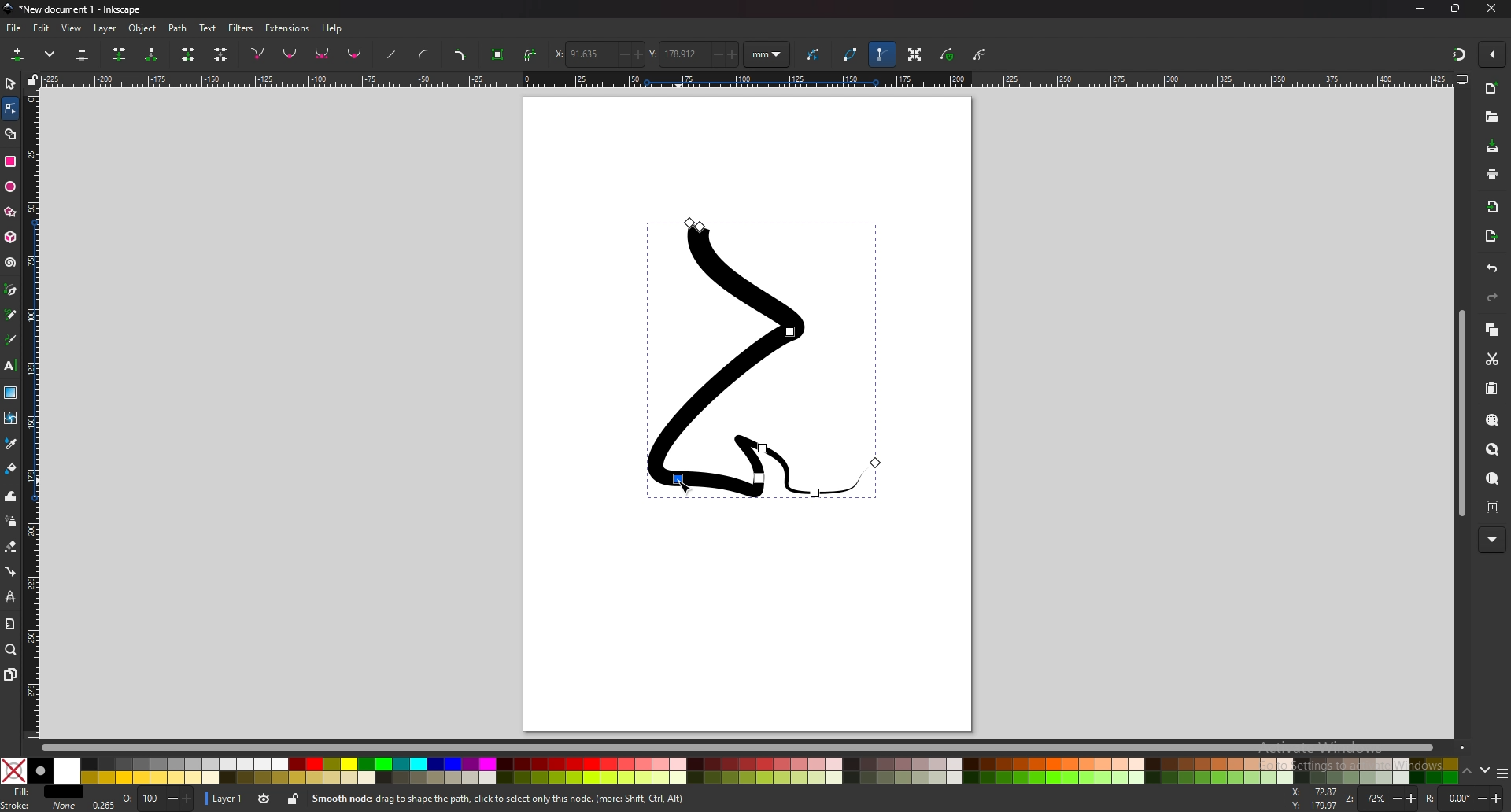 Image resolution: width=1511 pixels, height=812 pixels. Describe the element at coordinates (744, 79) in the screenshot. I see `horizontal scale` at that location.